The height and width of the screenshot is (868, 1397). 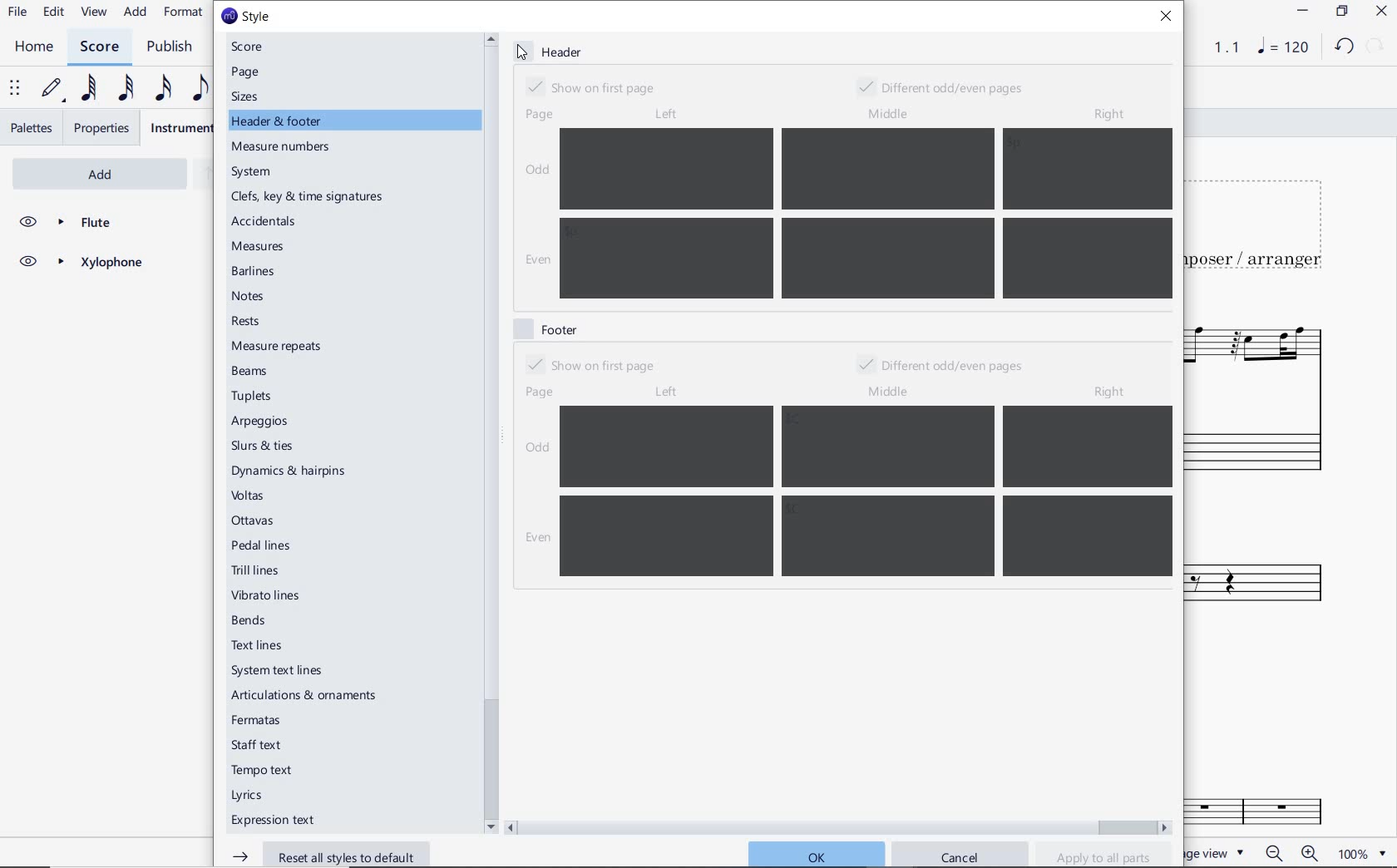 What do you see at coordinates (256, 273) in the screenshot?
I see `barlines` at bounding box center [256, 273].